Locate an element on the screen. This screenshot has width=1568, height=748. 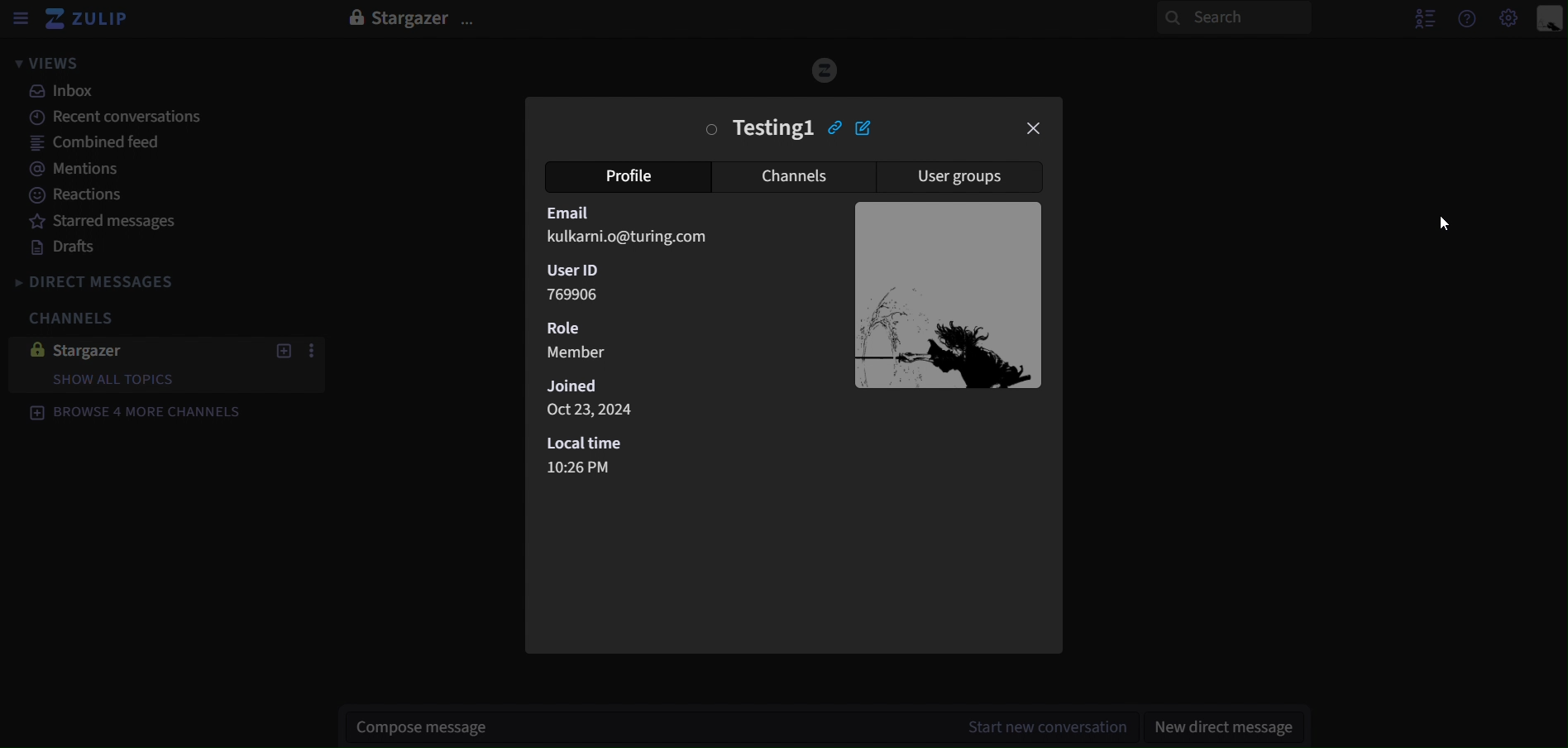
compose message is located at coordinates (420, 730).